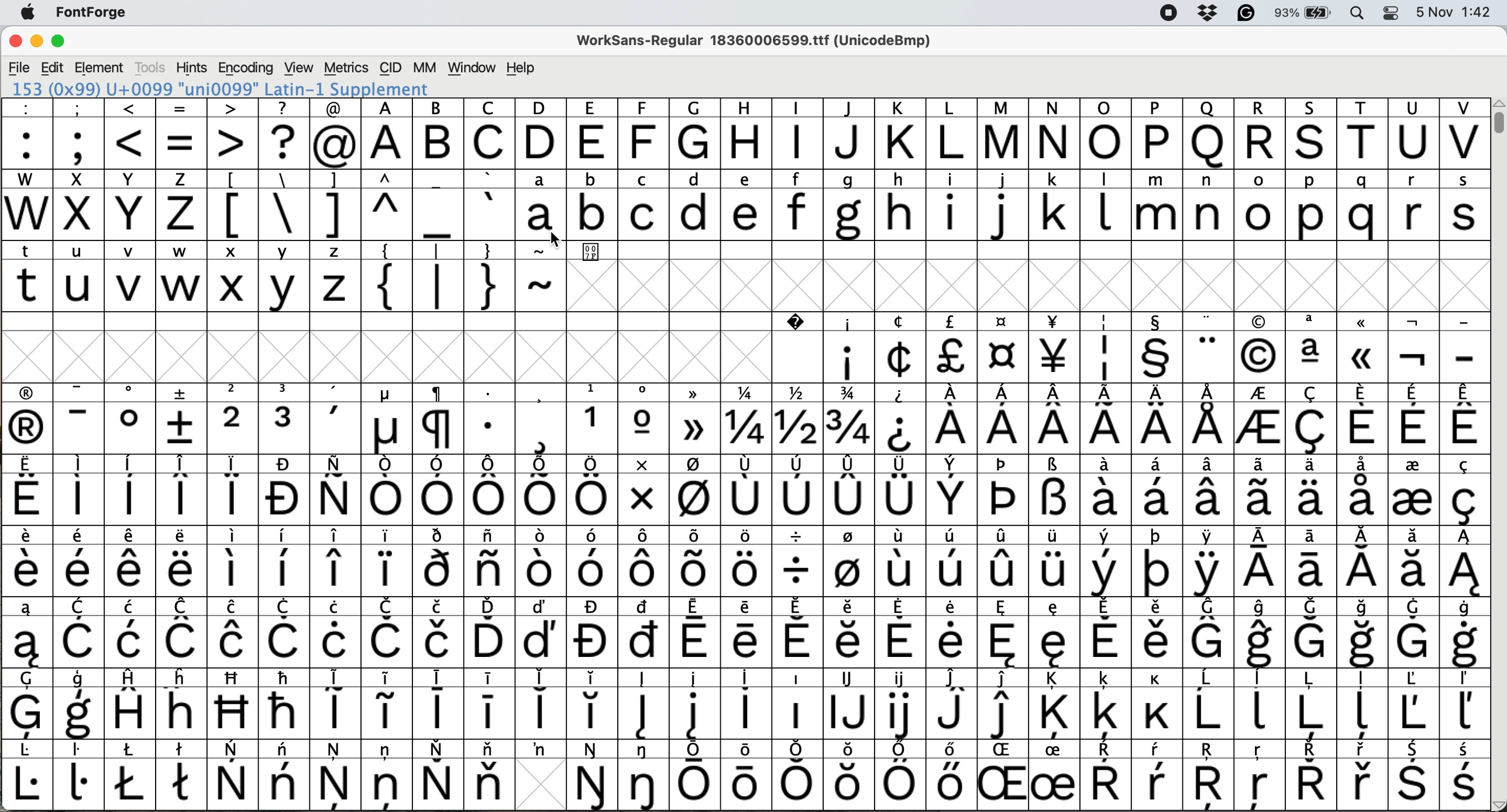 Image resolution: width=1507 pixels, height=812 pixels. Describe the element at coordinates (1414, 776) in the screenshot. I see `symbol` at that location.